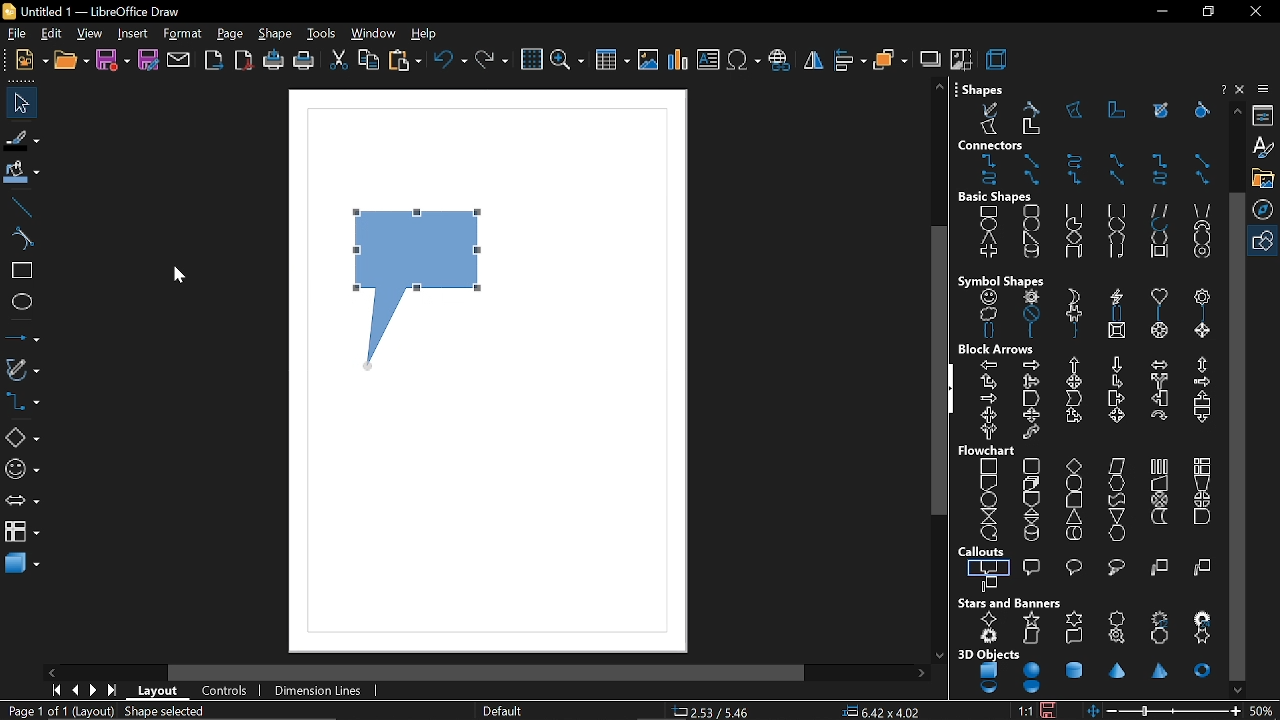 The width and height of the screenshot is (1280, 720). Describe the element at coordinates (179, 62) in the screenshot. I see `attach` at that location.